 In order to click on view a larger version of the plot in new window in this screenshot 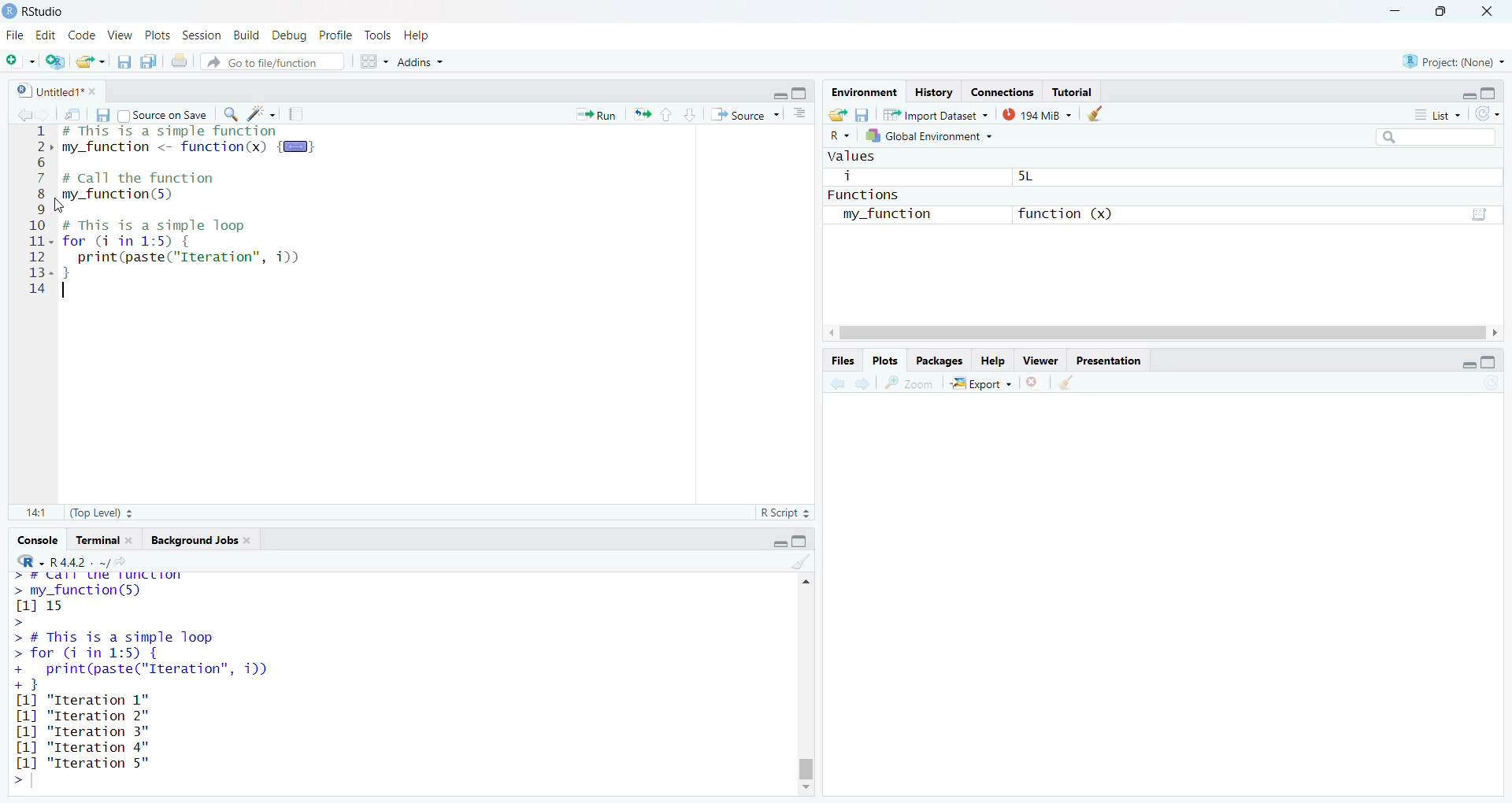, I will do `click(913, 383)`.